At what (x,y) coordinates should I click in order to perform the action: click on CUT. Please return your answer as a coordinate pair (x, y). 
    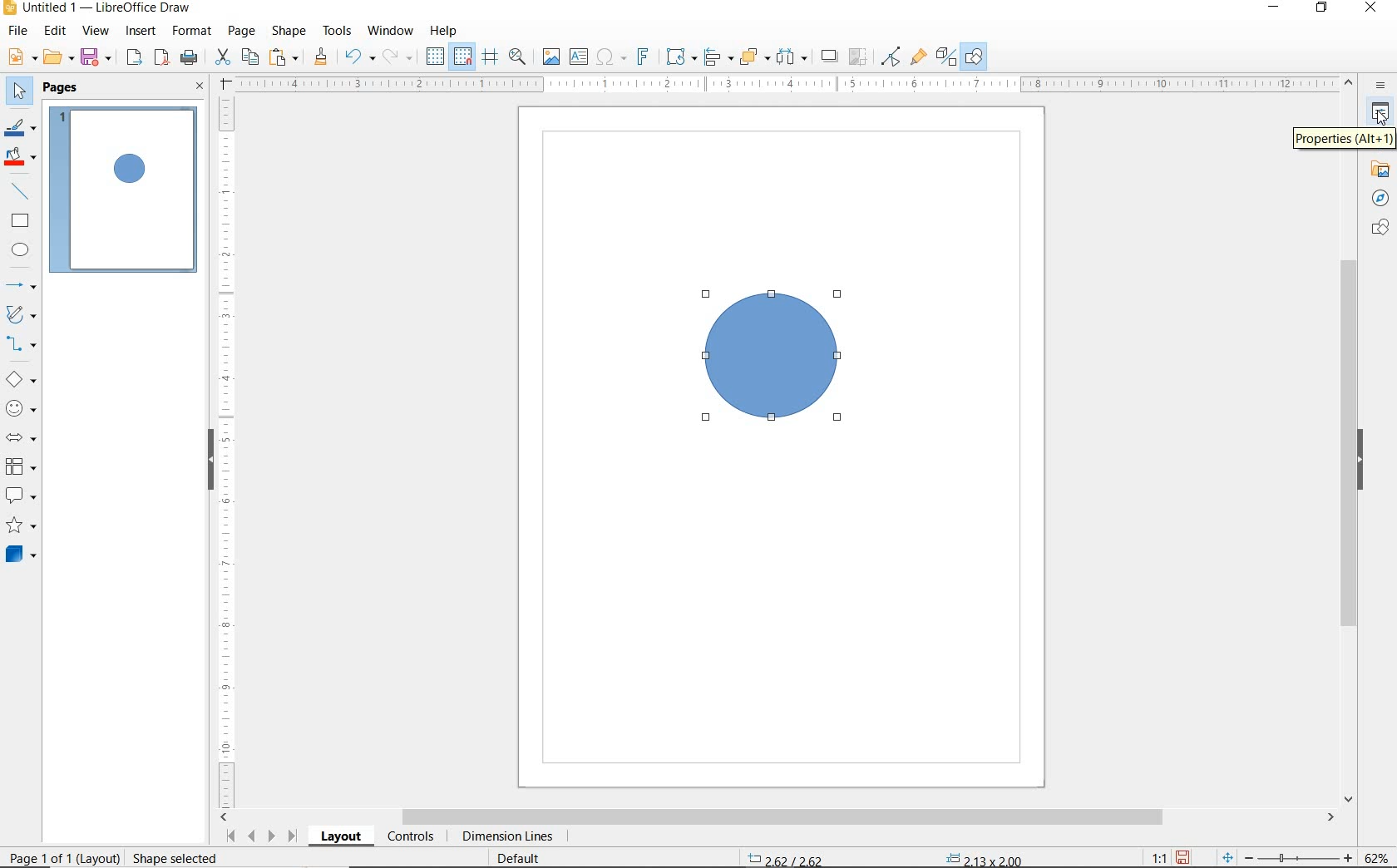
    Looking at the image, I should click on (222, 57).